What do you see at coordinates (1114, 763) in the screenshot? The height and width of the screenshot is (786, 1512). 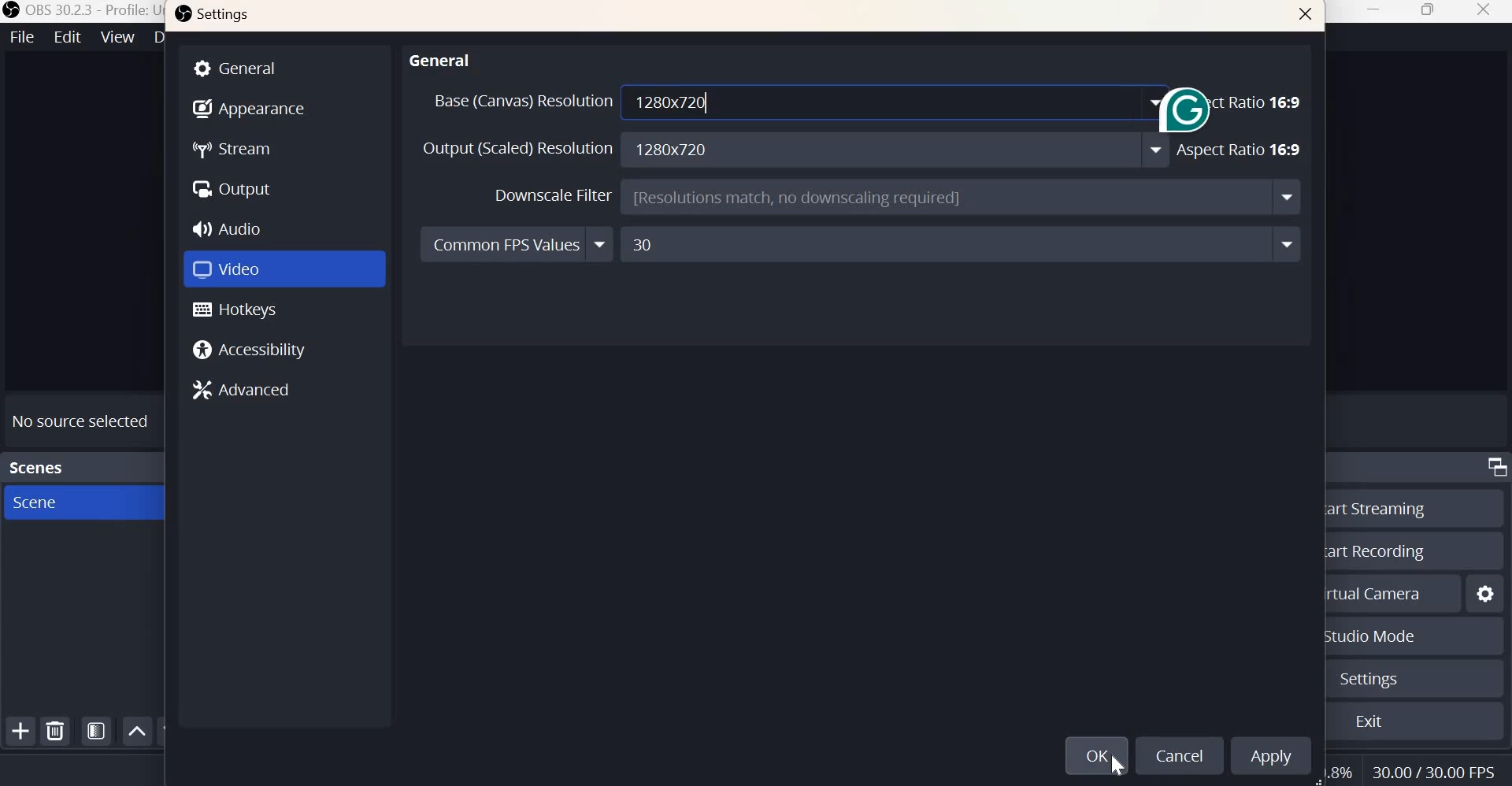 I see `cursor` at bounding box center [1114, 763].